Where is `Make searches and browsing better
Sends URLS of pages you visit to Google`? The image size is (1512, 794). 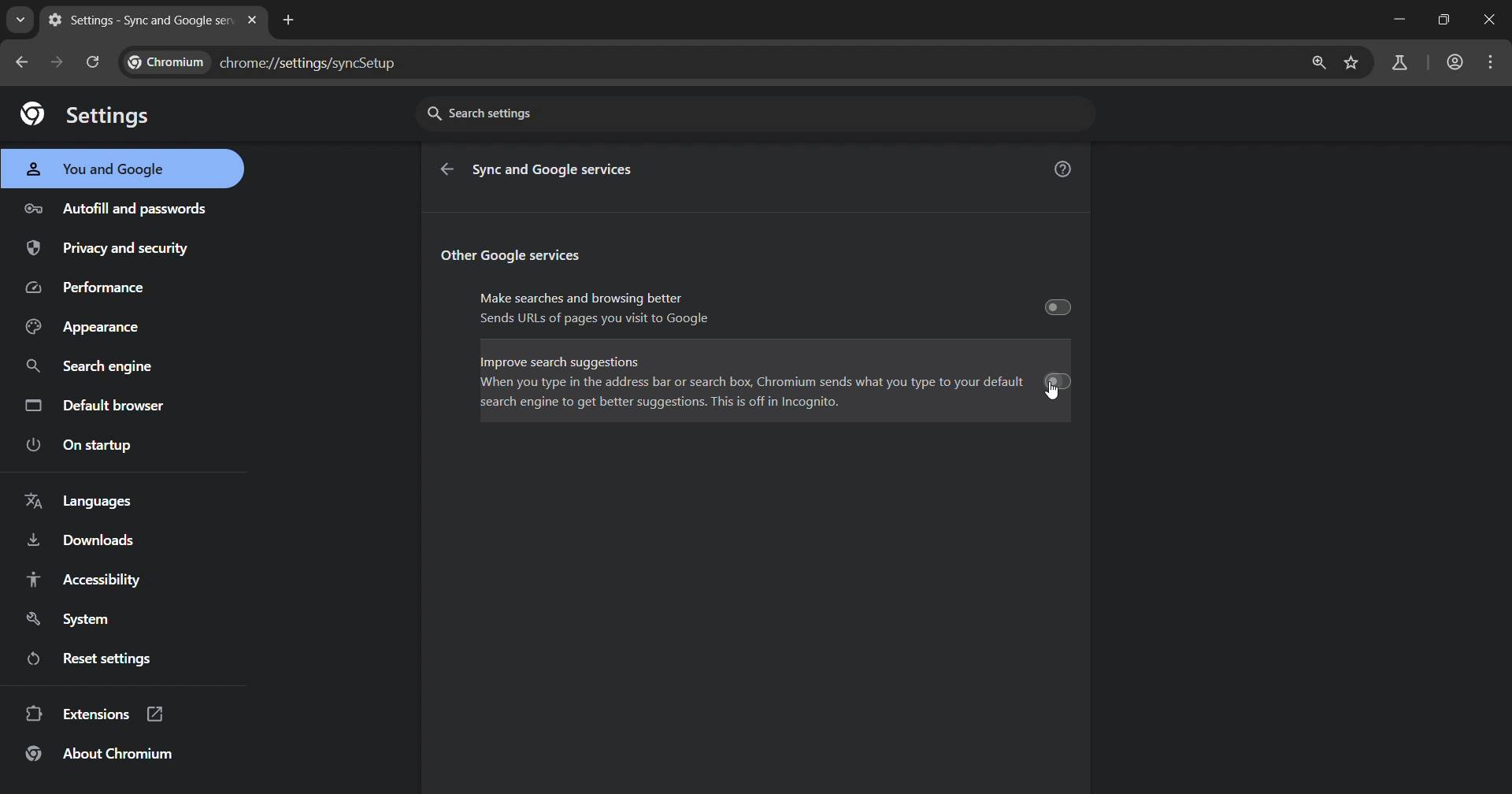 Make searches and browsing better
Sends URLS of pages you visit to Google is located at coordinates (775, 305).